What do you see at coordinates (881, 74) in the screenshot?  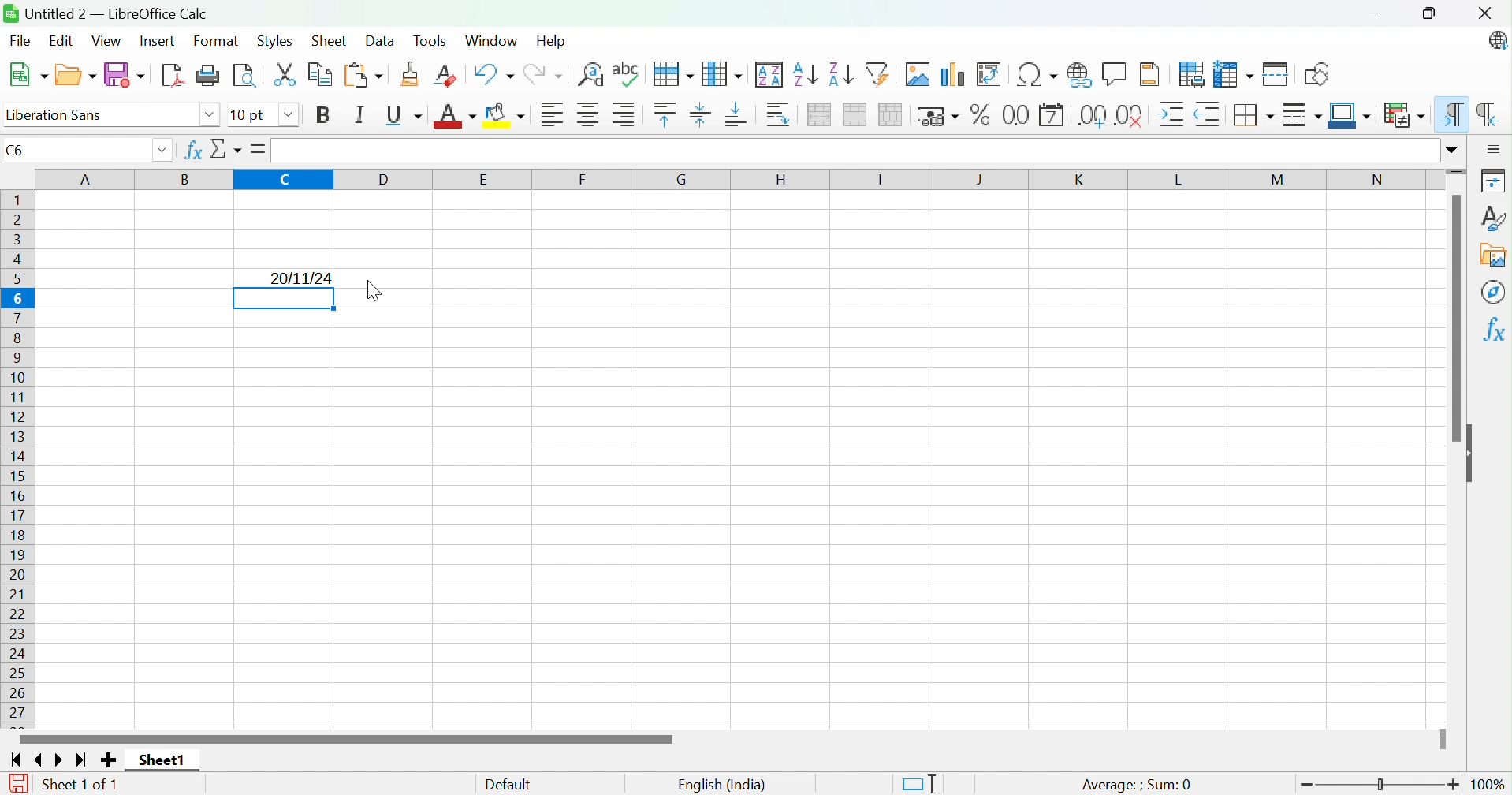 I see `Autofilter` at bounding box center [881, 74].